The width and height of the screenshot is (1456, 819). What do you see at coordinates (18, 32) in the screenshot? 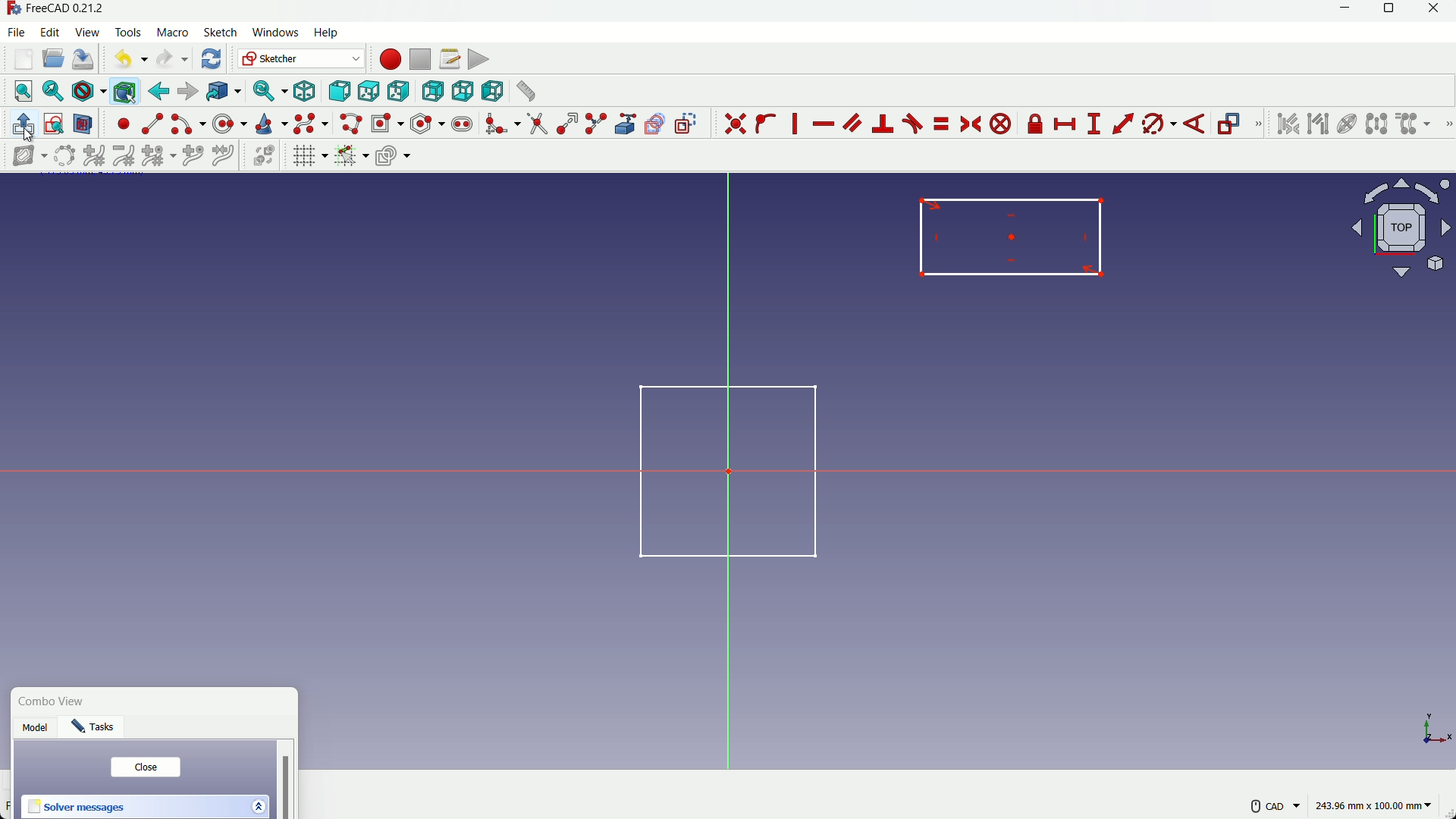
I see `file menu` at bounding box center [18, 32].